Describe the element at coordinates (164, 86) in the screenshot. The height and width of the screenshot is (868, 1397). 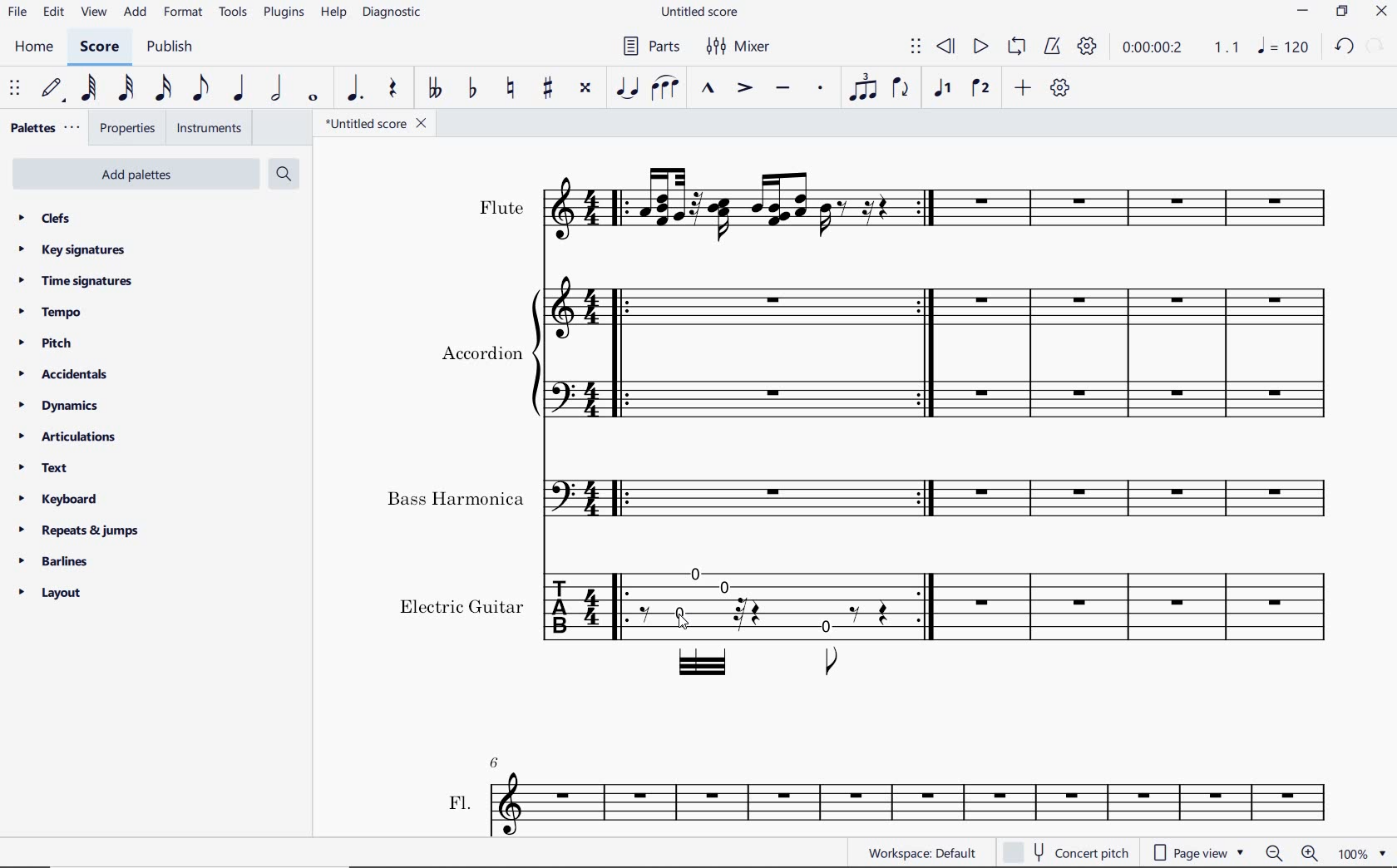
I see `16th note` at that location.